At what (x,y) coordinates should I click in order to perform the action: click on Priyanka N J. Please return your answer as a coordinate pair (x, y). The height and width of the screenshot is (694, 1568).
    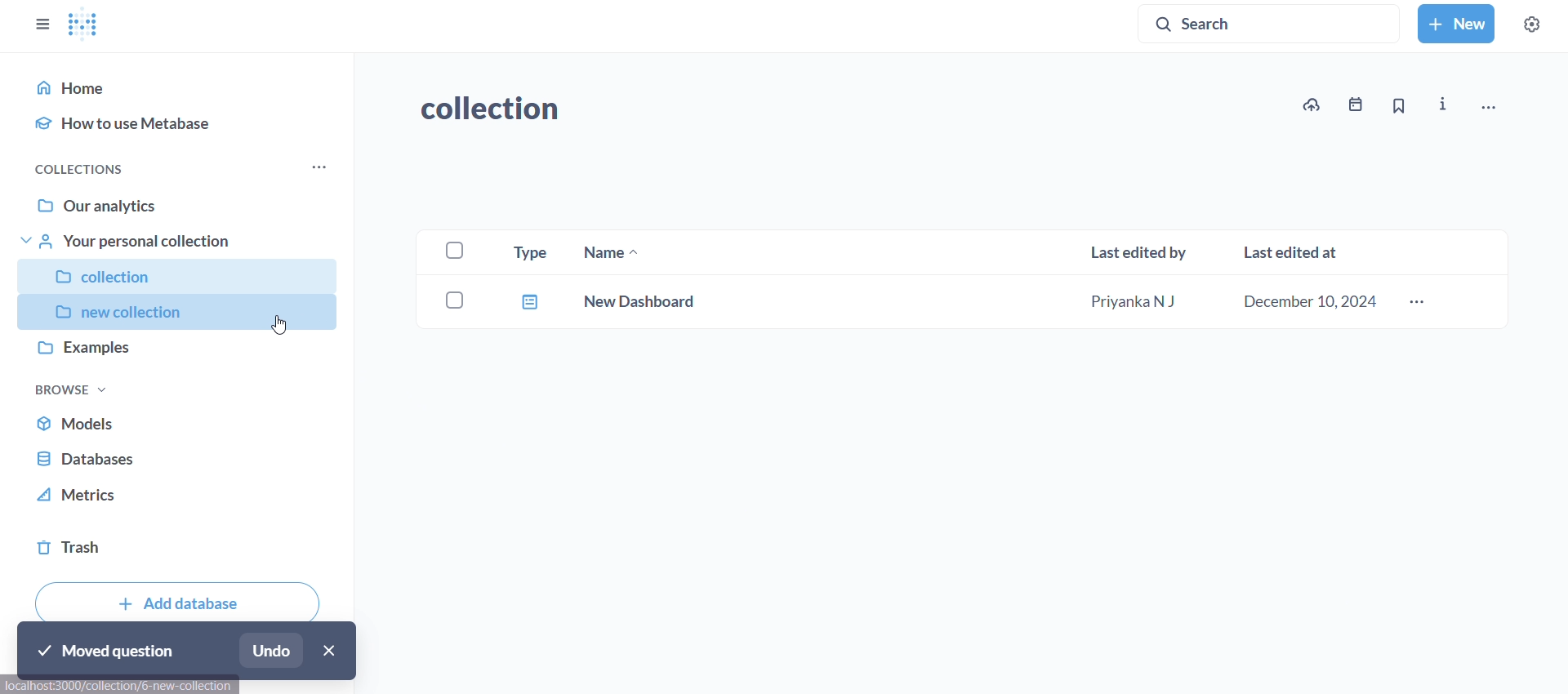
    Looking at the image, I should click on (1133, 303).